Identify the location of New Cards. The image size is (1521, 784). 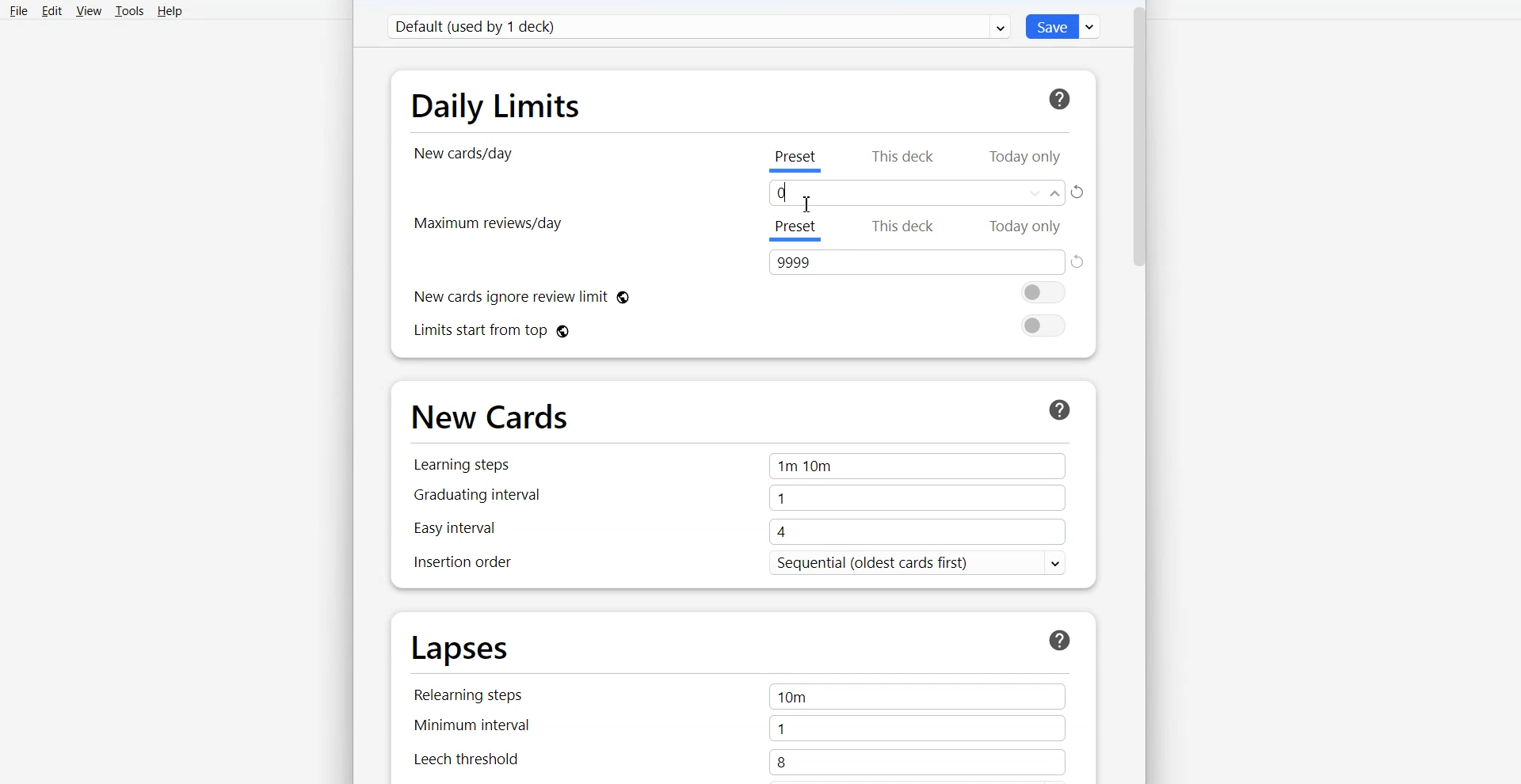
(493, 417).